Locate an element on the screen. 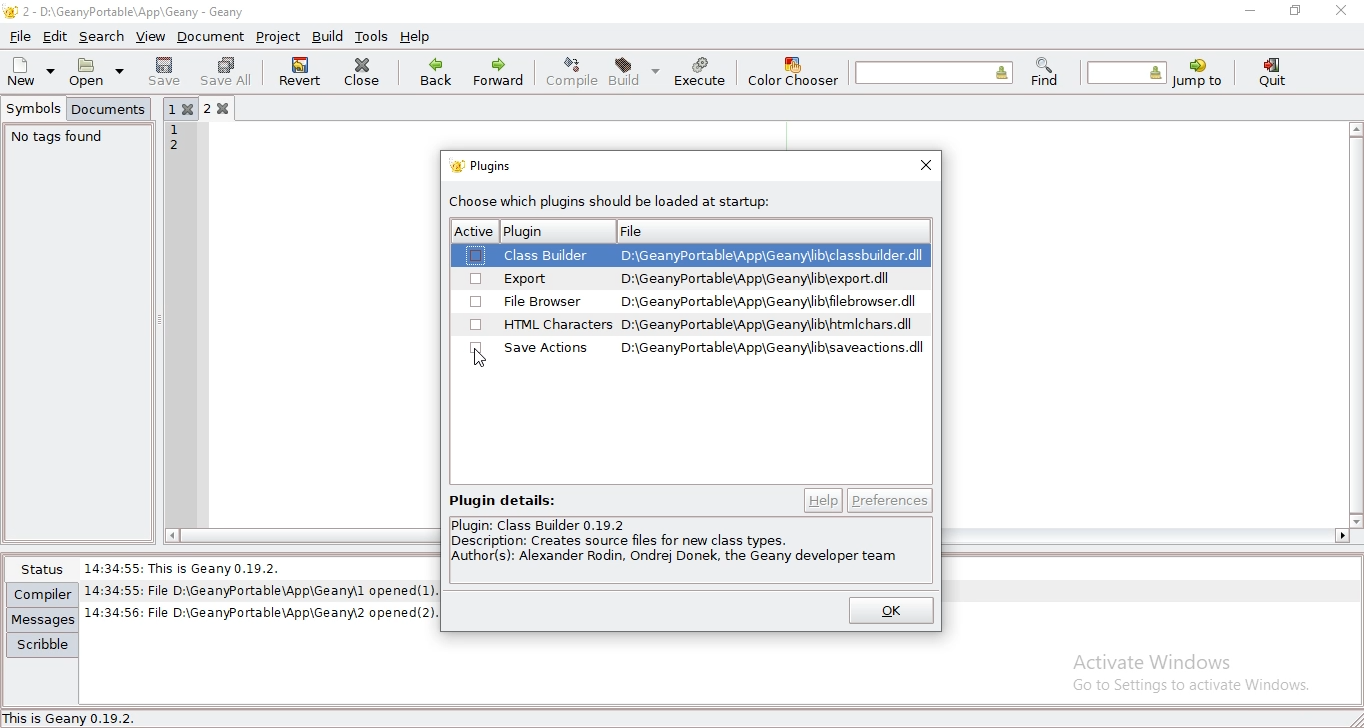 Image resolution: width=1364 pixels, height=728 pixels. help is located at coordinates (824, 500).